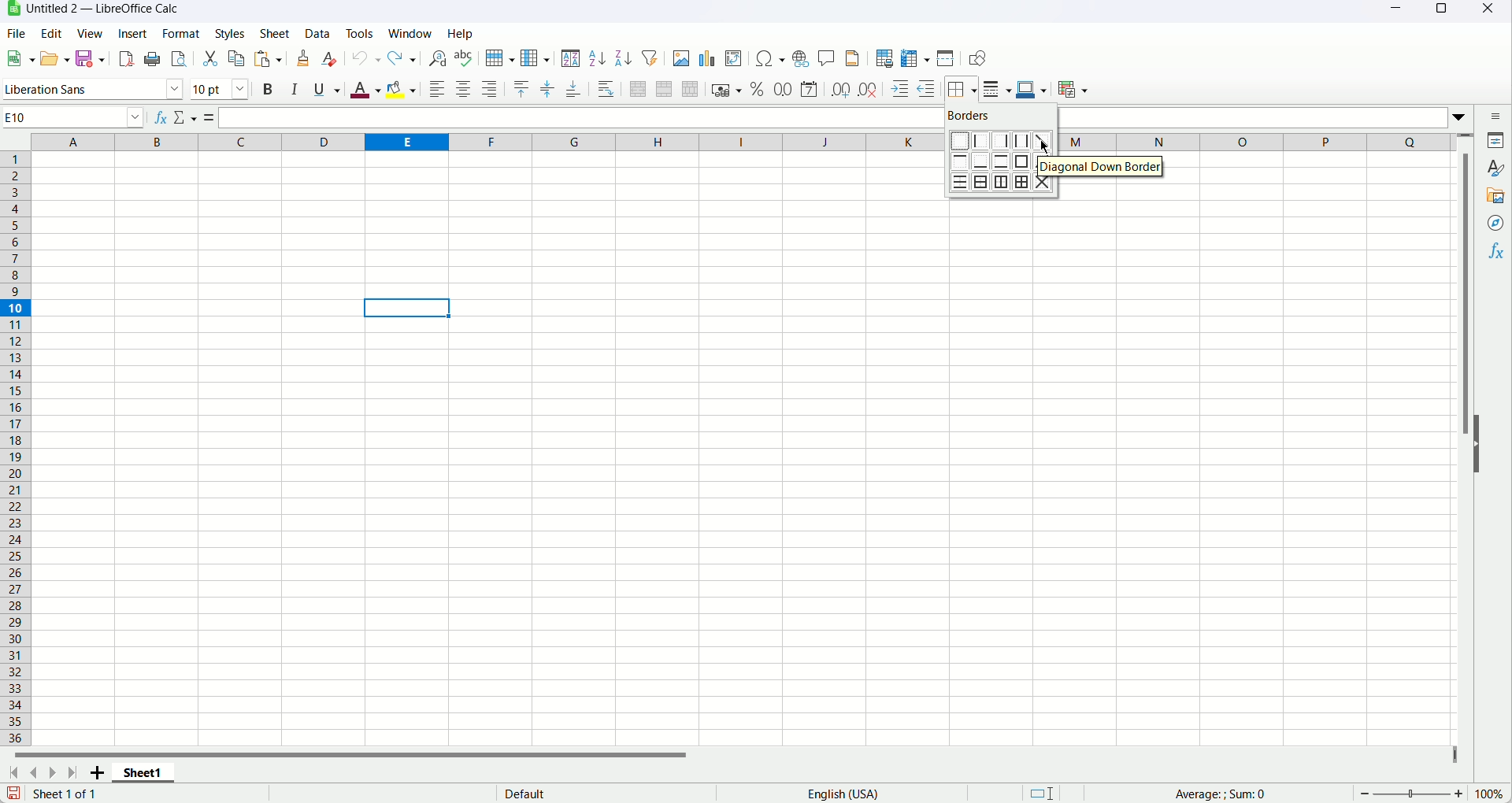  What do you see at coordinates (916, 57) in the screenshot?
I see `Freeze rows and columns` at bounding box center [916, 57].